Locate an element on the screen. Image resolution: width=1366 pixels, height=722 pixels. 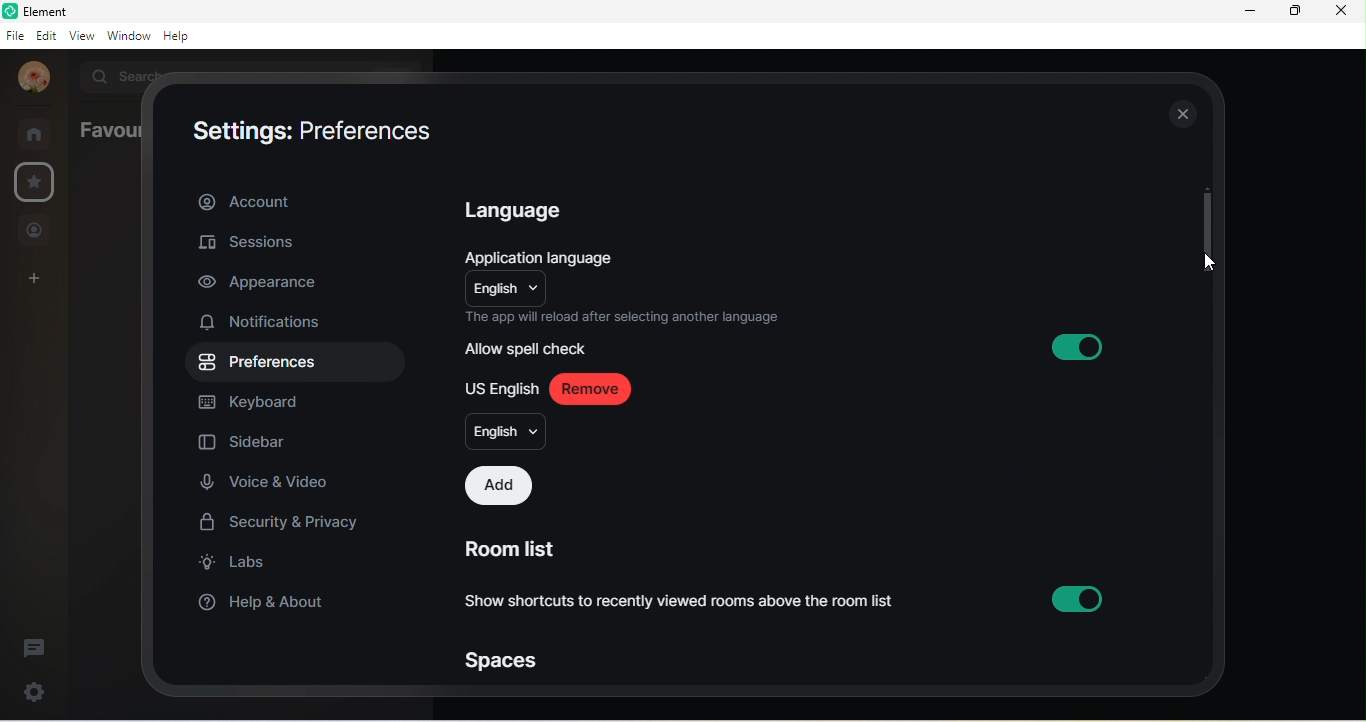
keyboard is located at coordinates (264, 402).